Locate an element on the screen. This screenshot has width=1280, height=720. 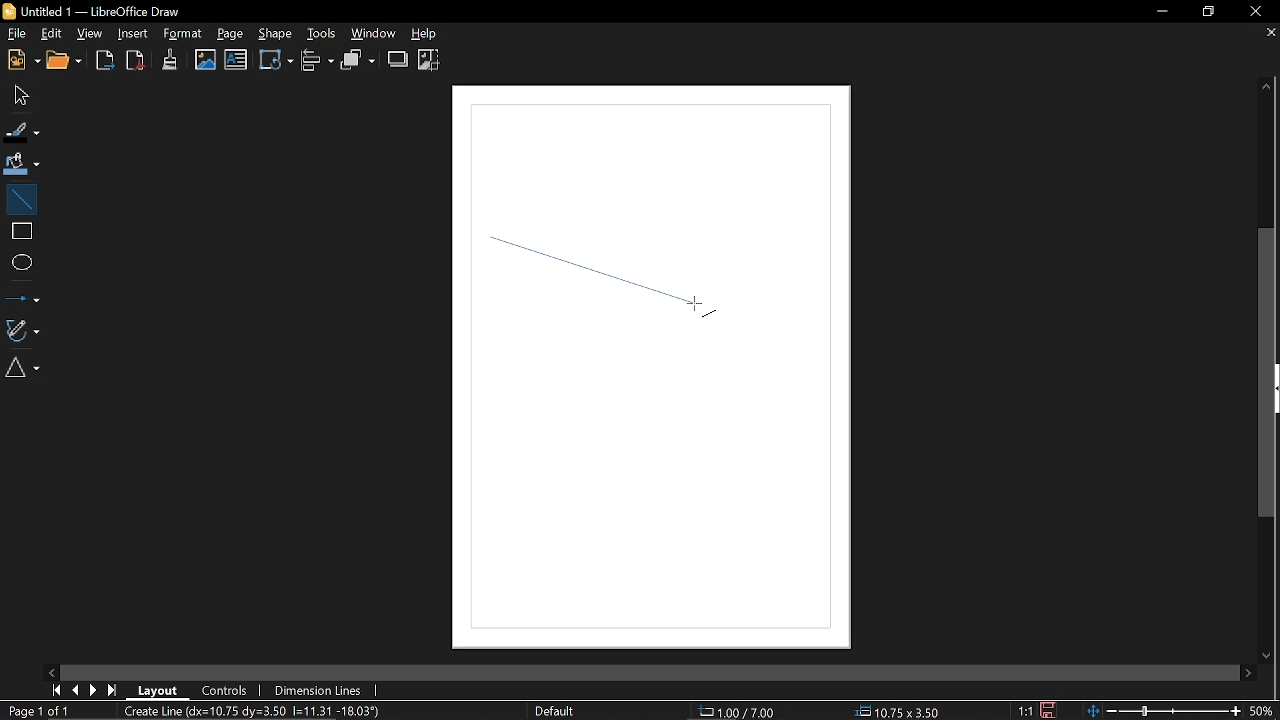
Current diagram is located at coordinates (258, 712).